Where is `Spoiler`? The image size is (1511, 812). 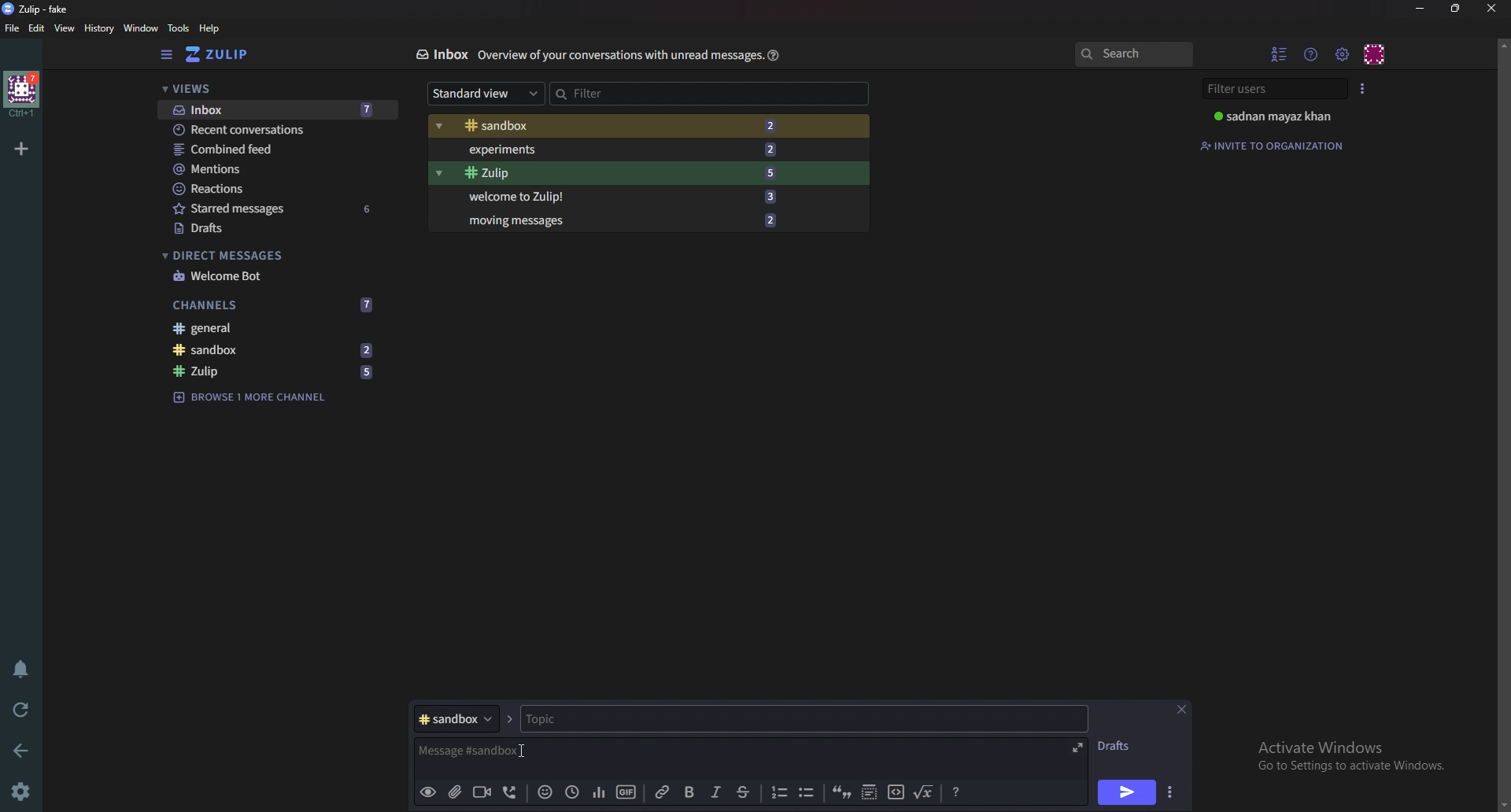 Spoiler is located at coordinates (867, 794).